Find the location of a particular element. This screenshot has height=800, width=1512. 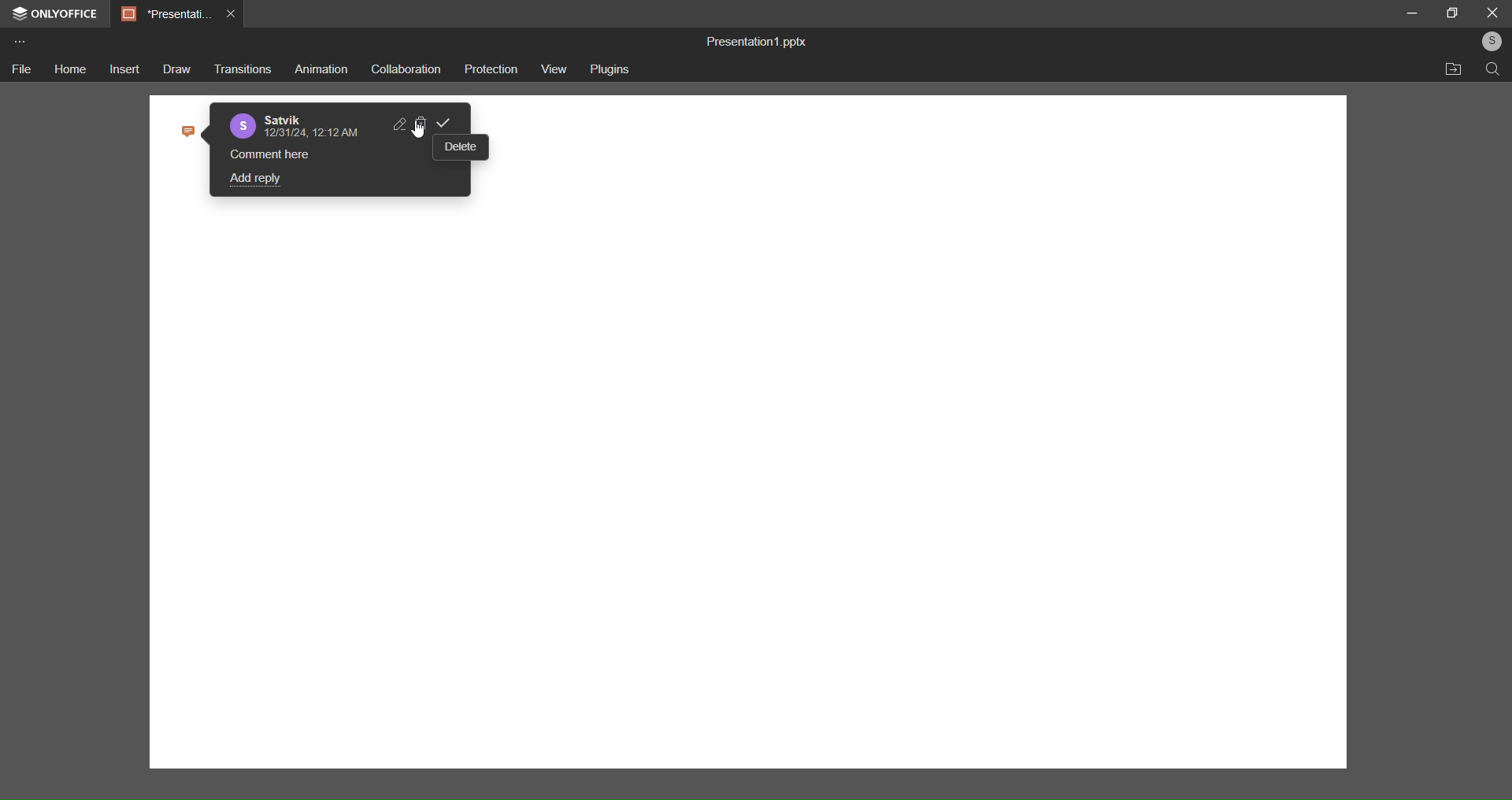

Presentation is located at coordinates (161, 13).